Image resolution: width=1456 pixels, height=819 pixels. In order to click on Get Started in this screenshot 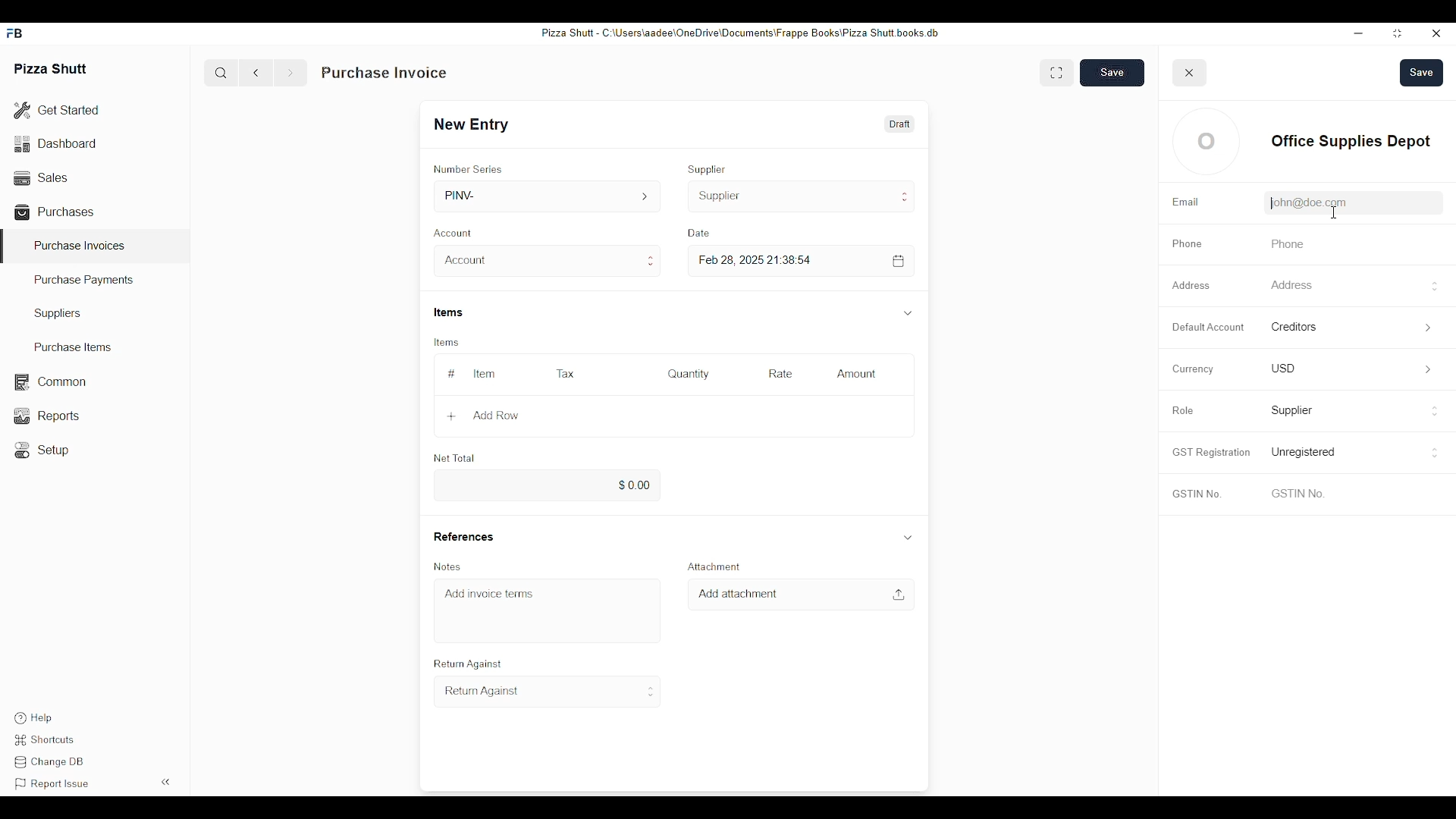, I will do `click(57, 111)`.